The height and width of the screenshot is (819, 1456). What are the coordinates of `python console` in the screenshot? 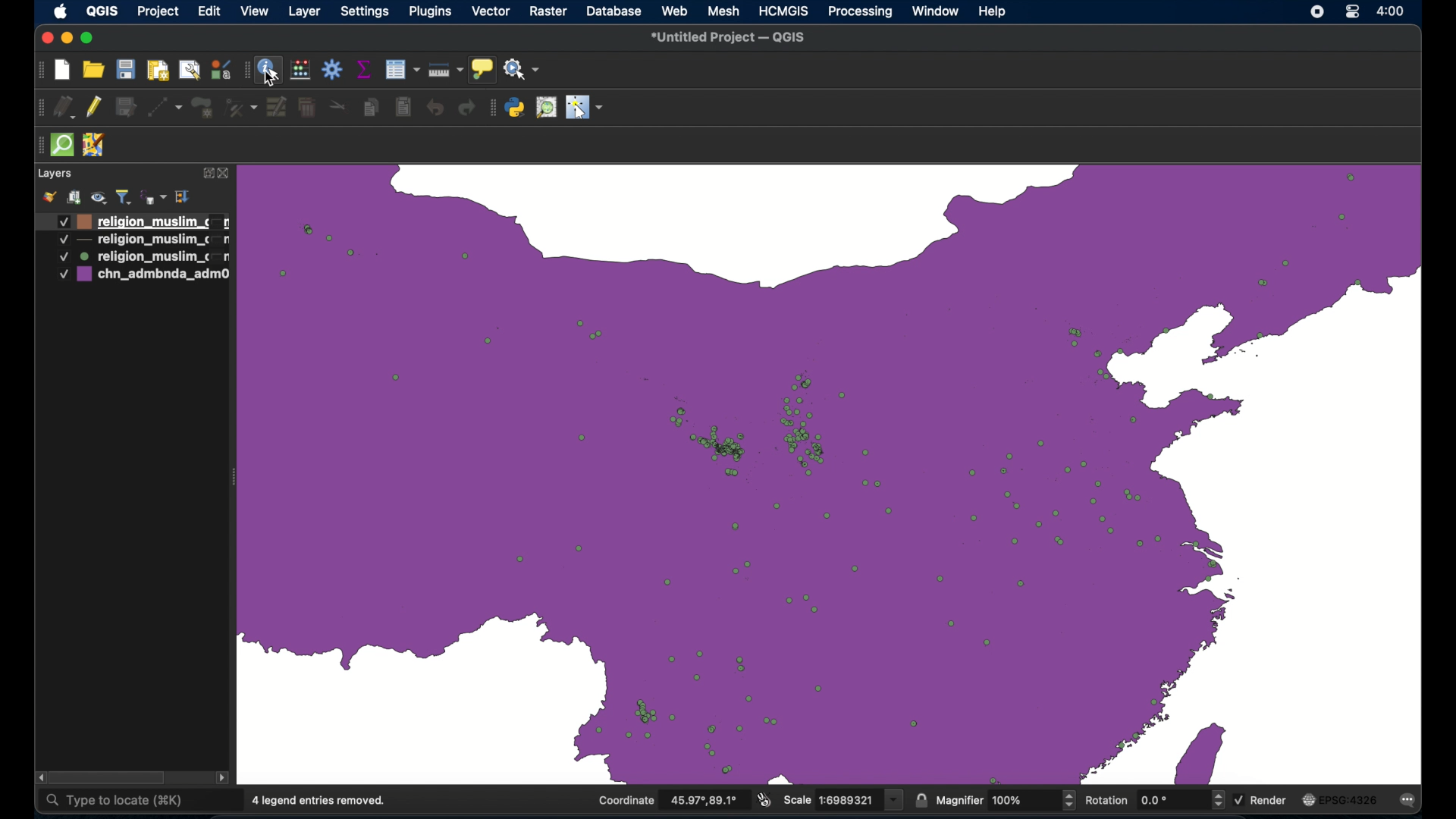 It's located at (516, 108).